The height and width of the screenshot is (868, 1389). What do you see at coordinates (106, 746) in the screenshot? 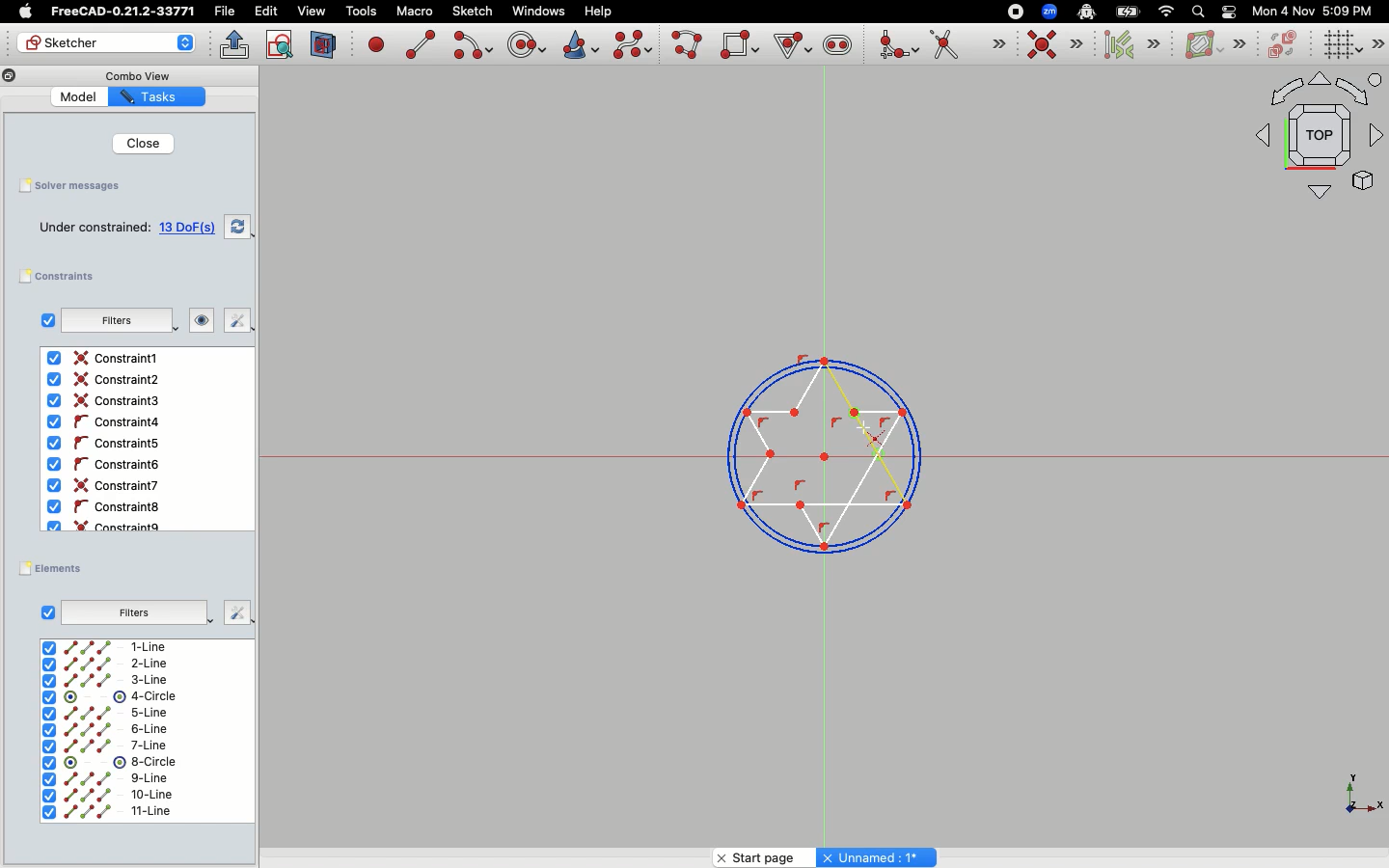
I see `7-line` at bounding box center [106, 746].